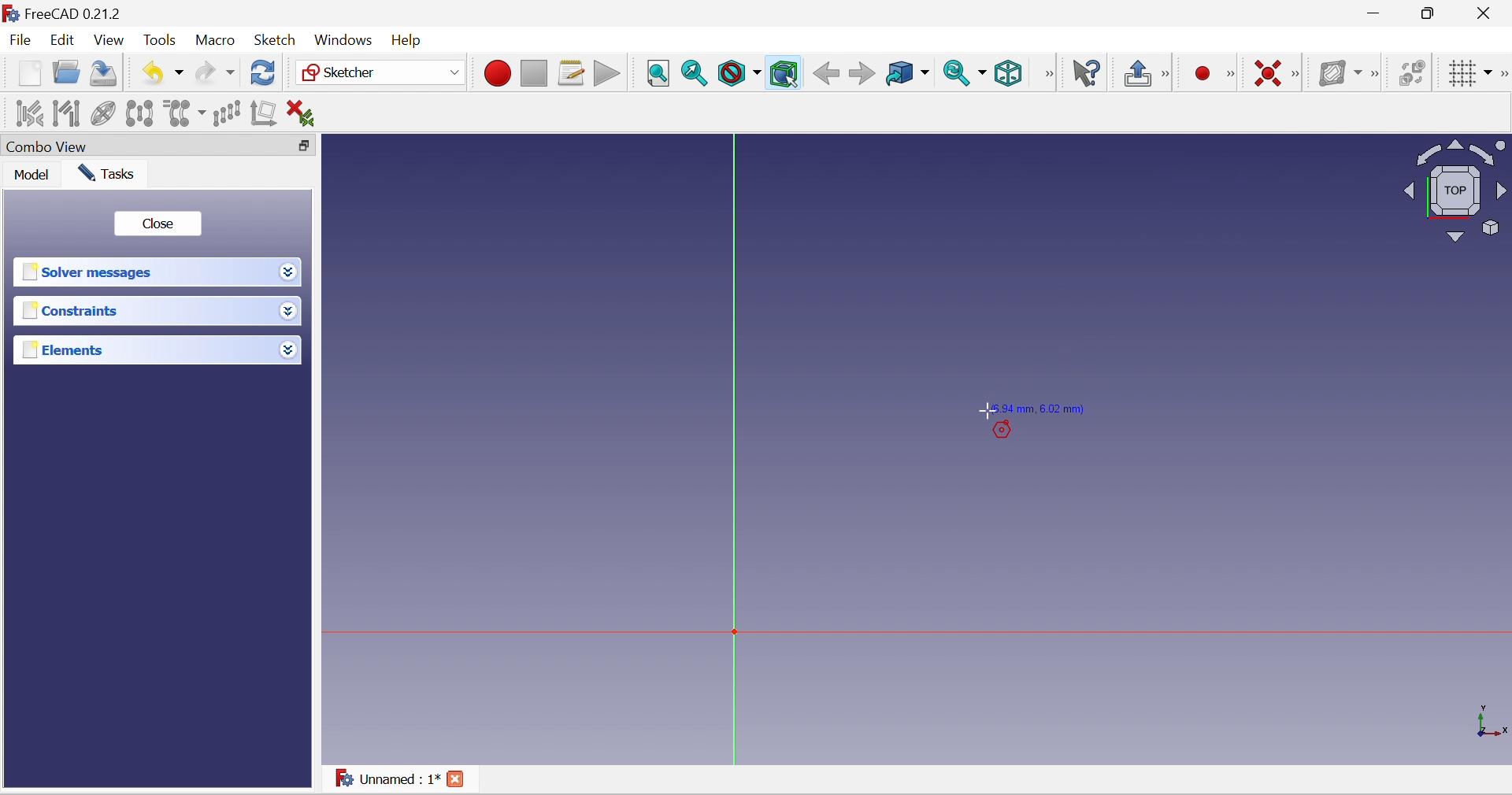  Describe the element at coordinates (1413, 75) in the screenshot. I see `Switch virtual space` at that location.